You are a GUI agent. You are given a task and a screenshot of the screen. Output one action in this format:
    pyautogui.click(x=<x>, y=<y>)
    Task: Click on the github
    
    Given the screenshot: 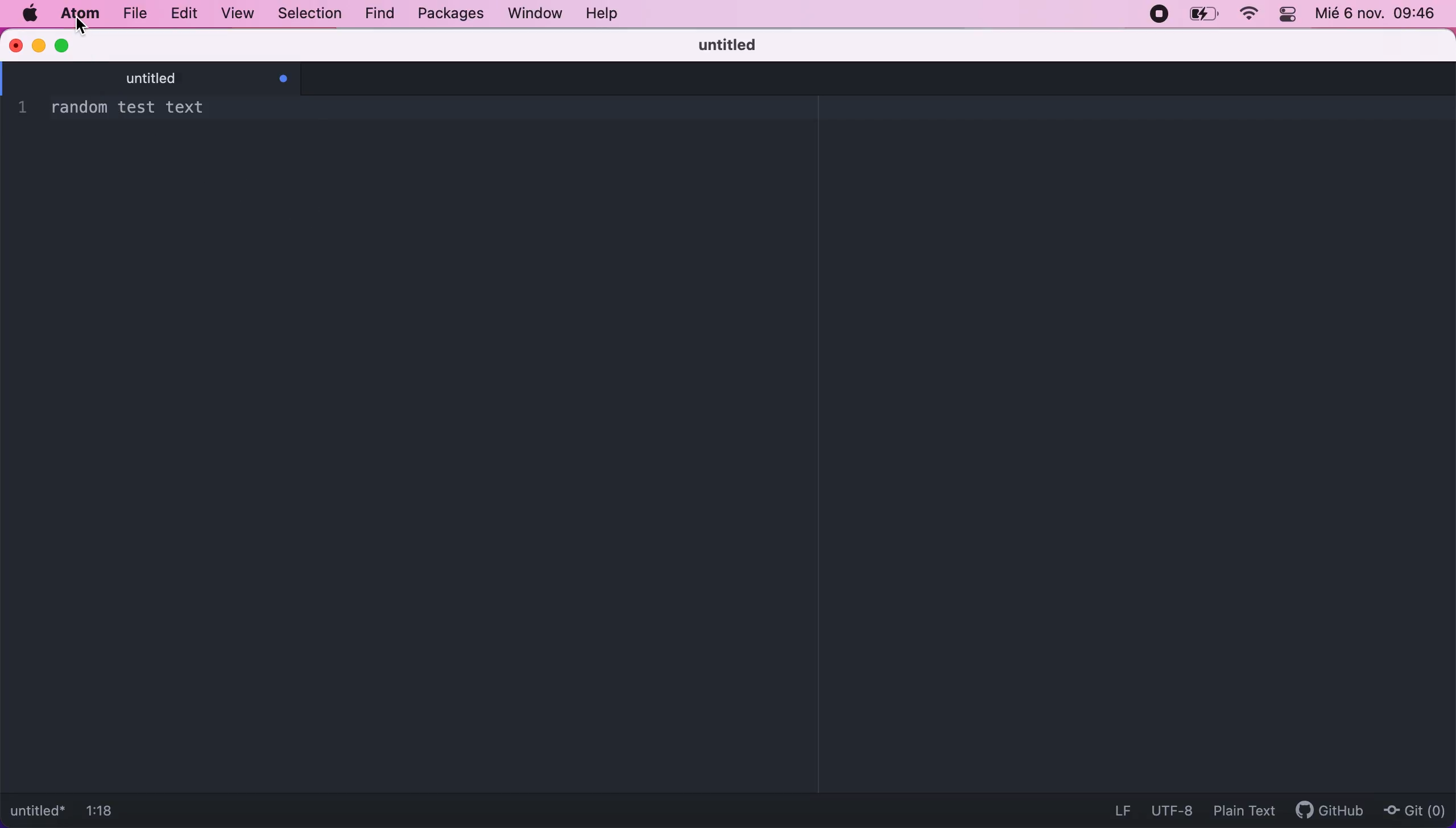 What is the action you would take?
    pyautogui.click(x=1334, y=810)
    